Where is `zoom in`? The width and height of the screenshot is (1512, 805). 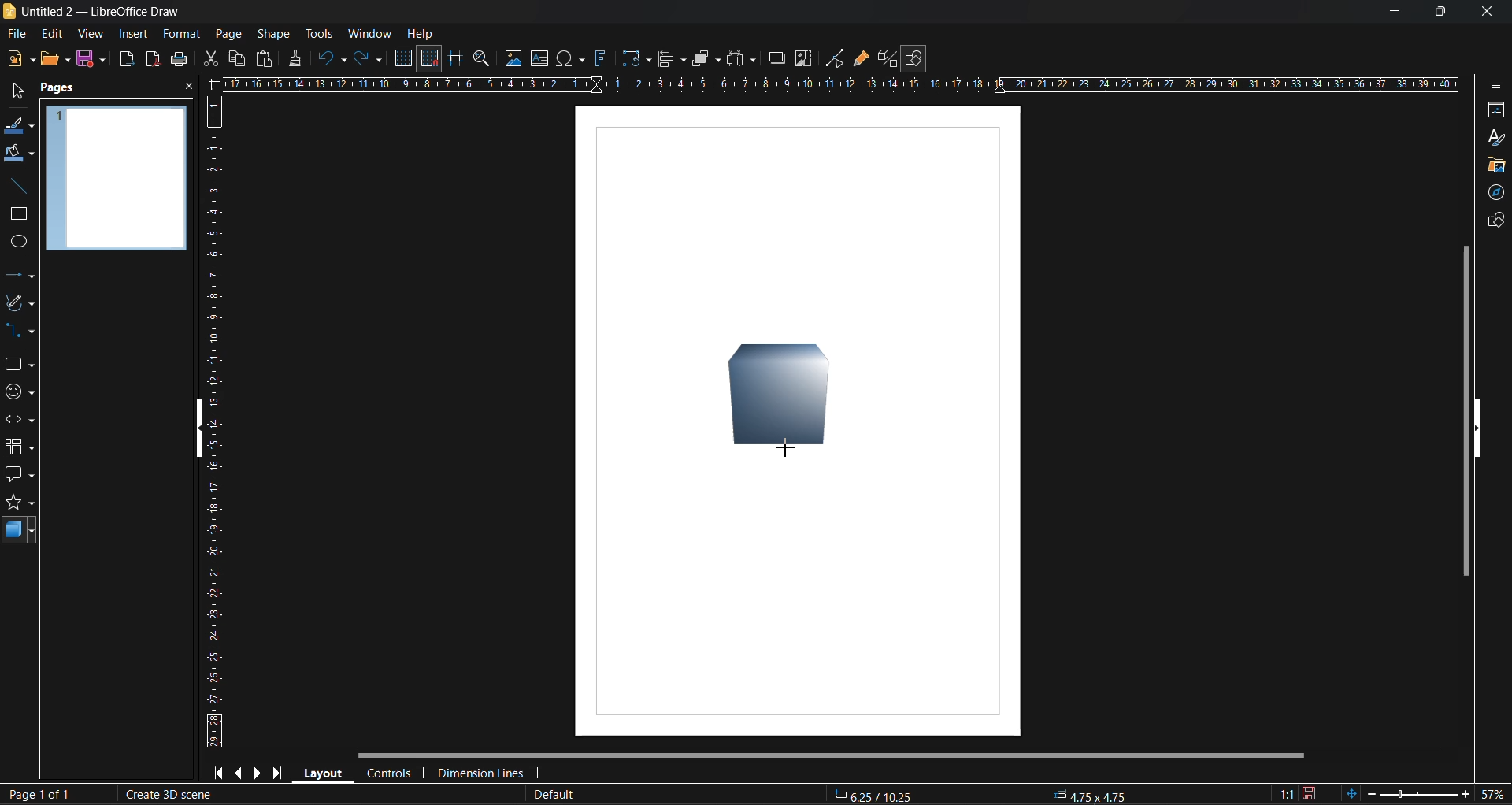
zoom in is located at coordinates (1466, 795).